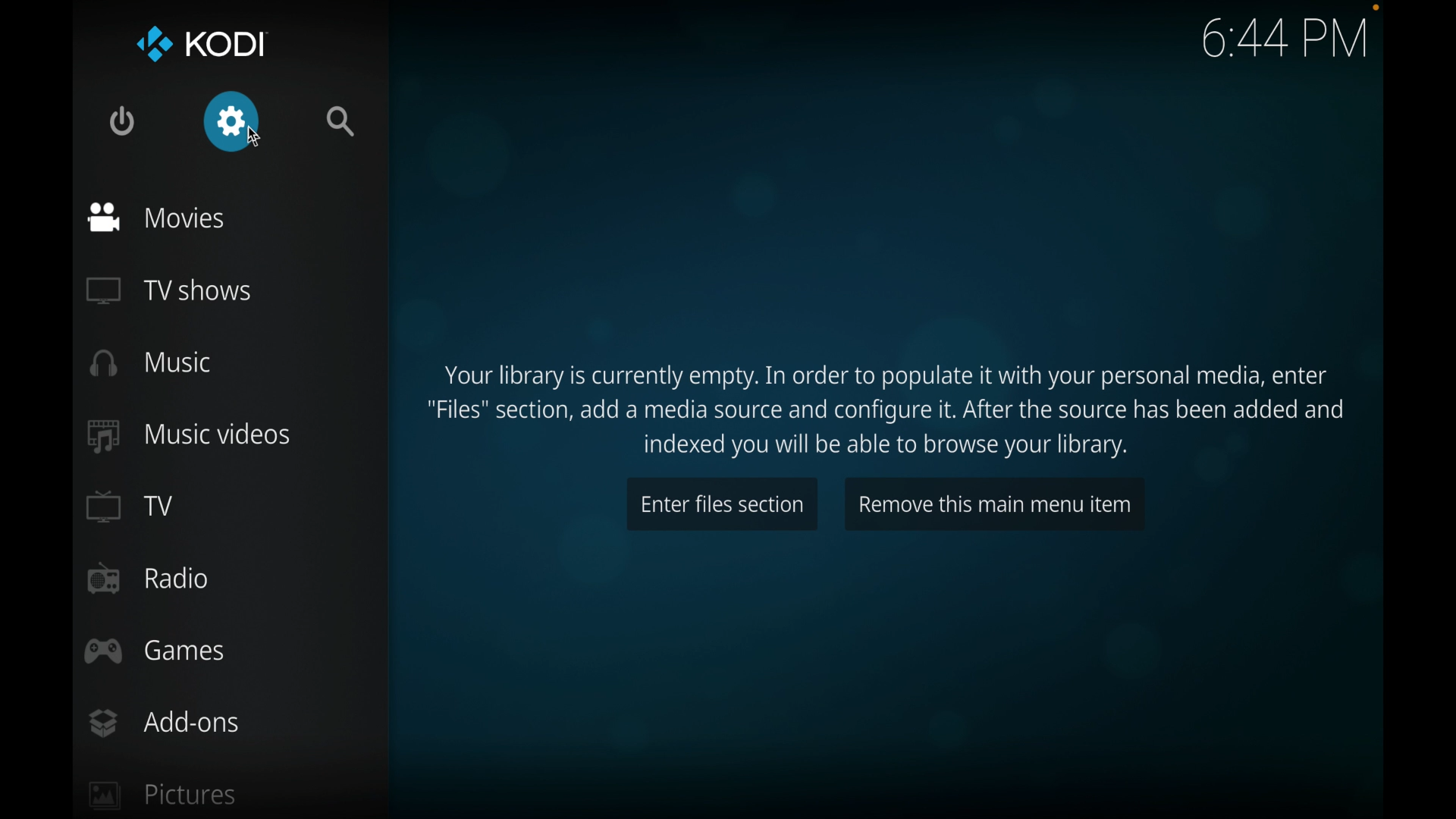 This screenshot has width=1456, height=819. What do you see at coordinates (152, 362) in the screenshot?
I see `music` at bounding box center [152, 362].